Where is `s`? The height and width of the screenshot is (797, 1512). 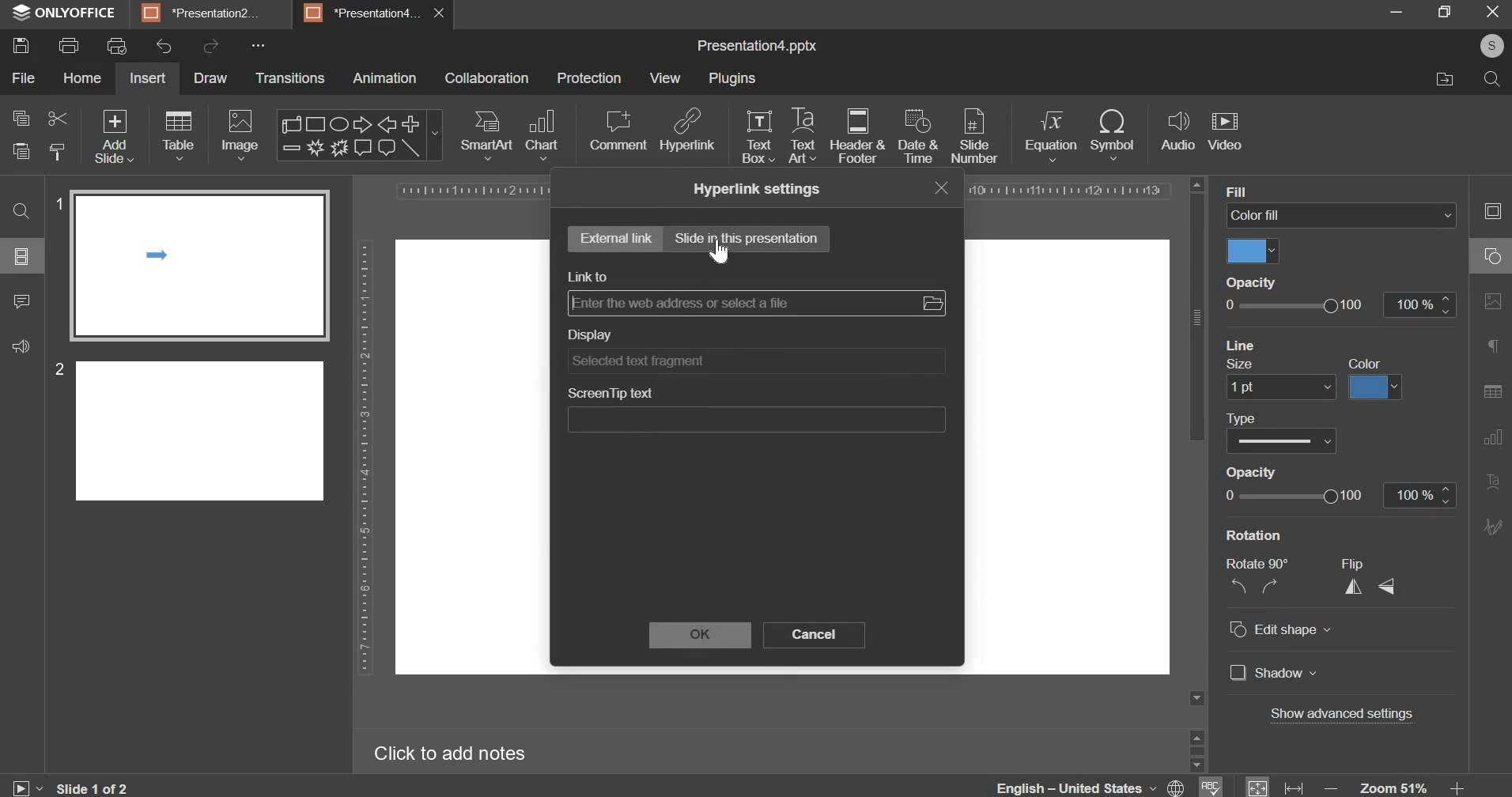
s is located at coordinates (1495, 46).